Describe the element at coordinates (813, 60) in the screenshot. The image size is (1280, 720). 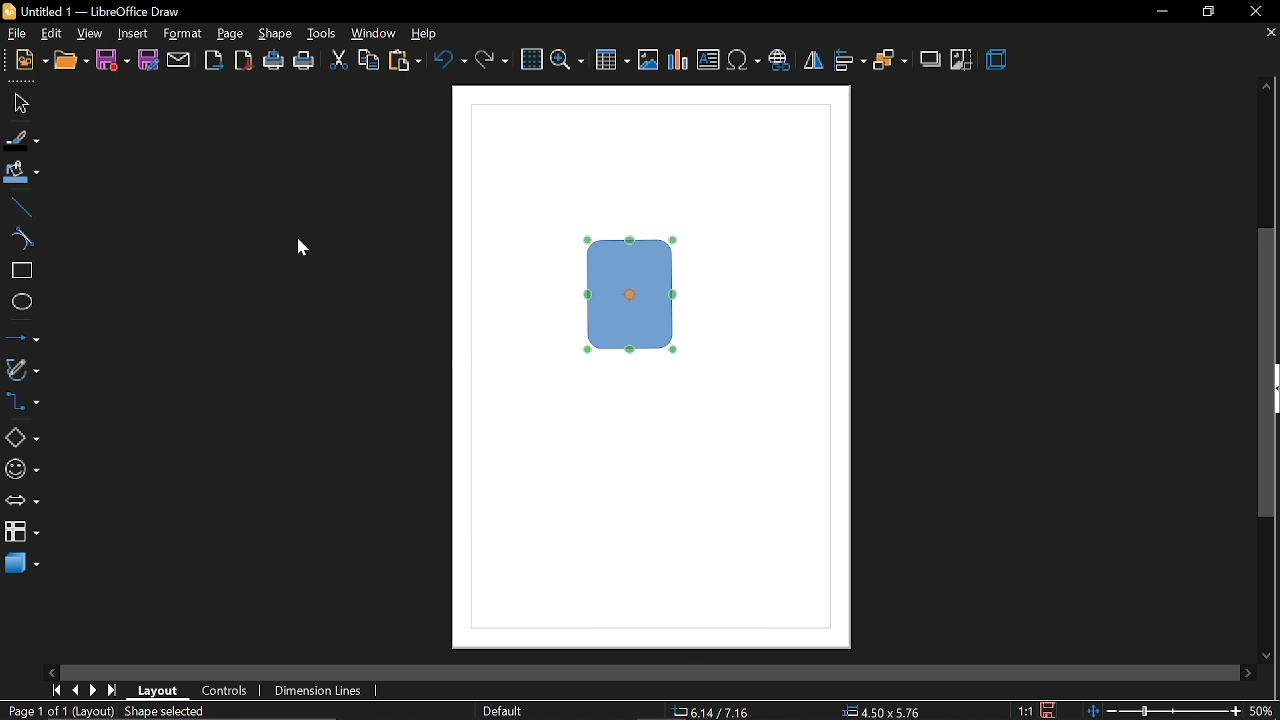
I see `flip` at that location.